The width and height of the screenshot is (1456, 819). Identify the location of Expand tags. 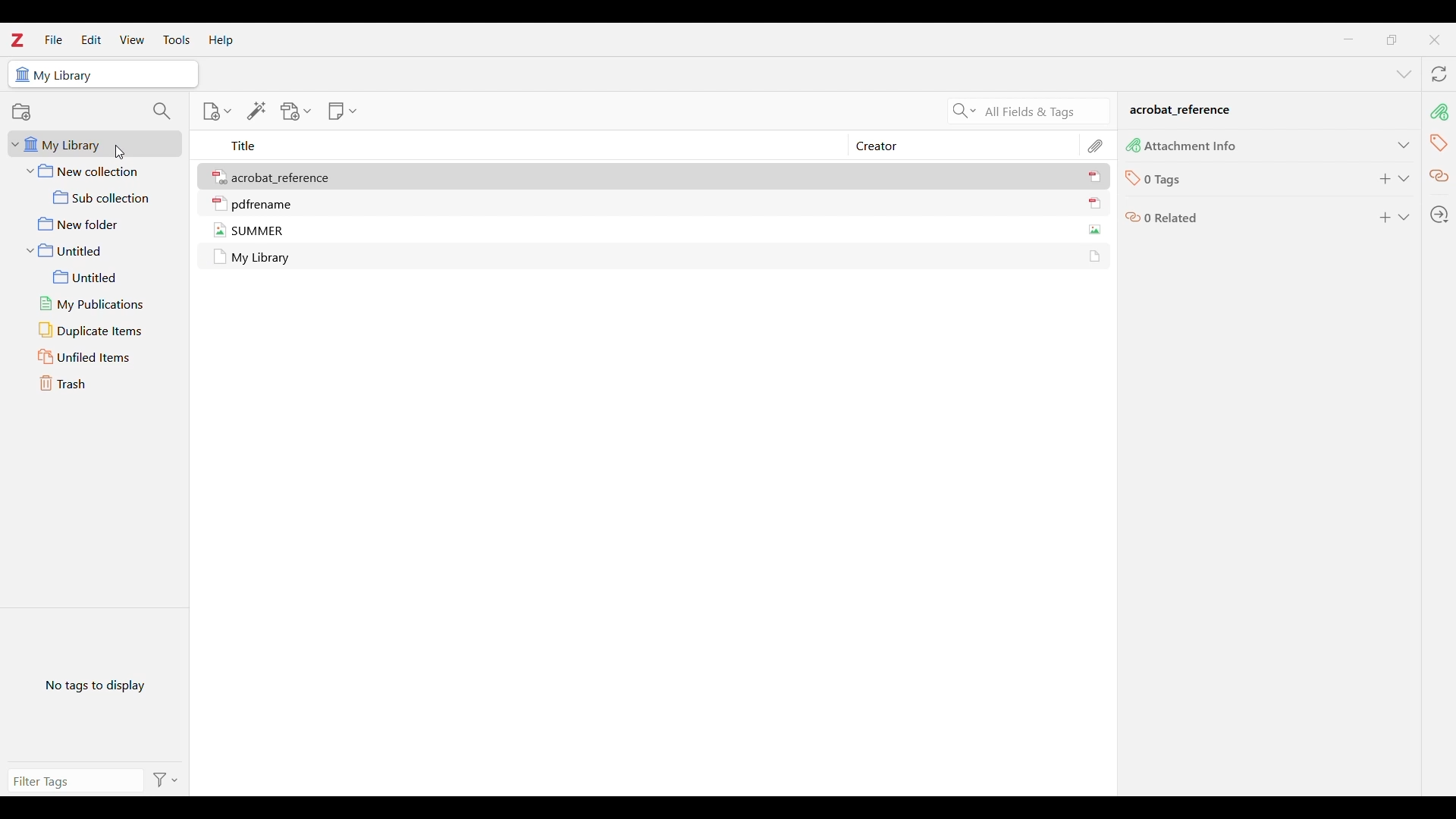
(1404, 179).